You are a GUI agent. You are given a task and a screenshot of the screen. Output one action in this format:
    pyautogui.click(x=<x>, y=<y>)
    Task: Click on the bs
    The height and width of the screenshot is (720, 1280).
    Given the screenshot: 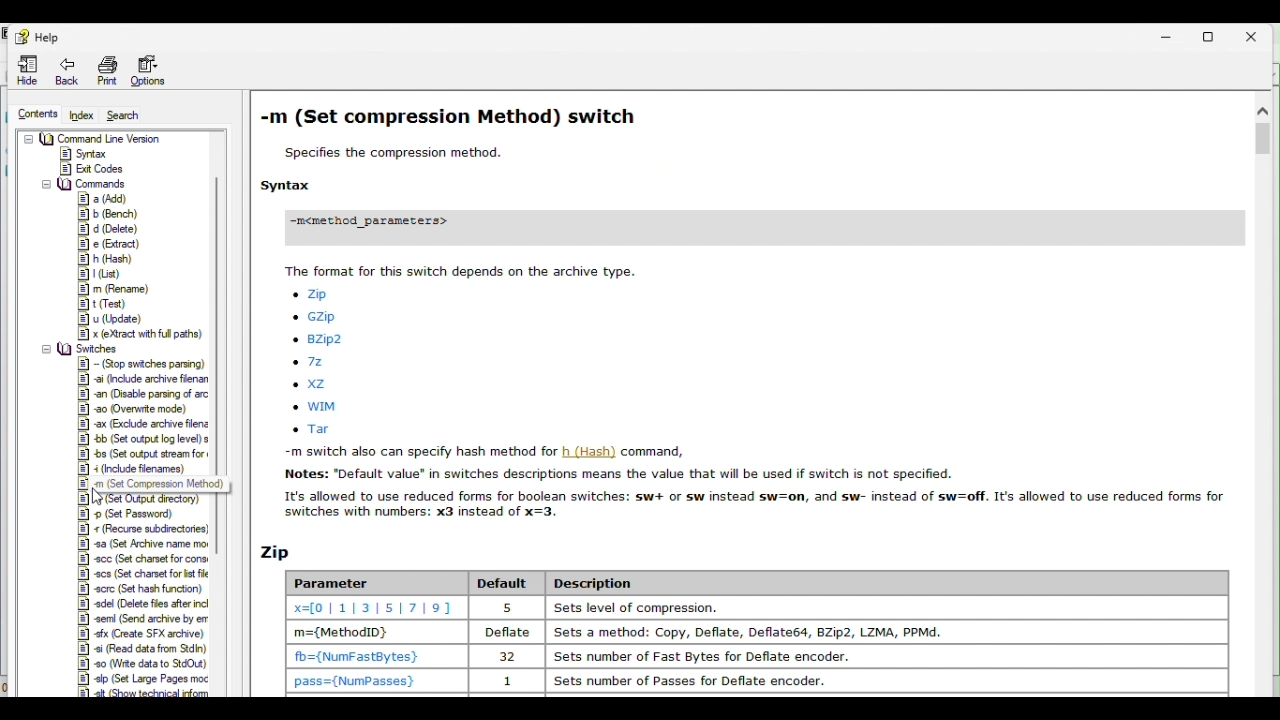 What is the action you would take?
    pyautogui.click(x=143, y=452)
    